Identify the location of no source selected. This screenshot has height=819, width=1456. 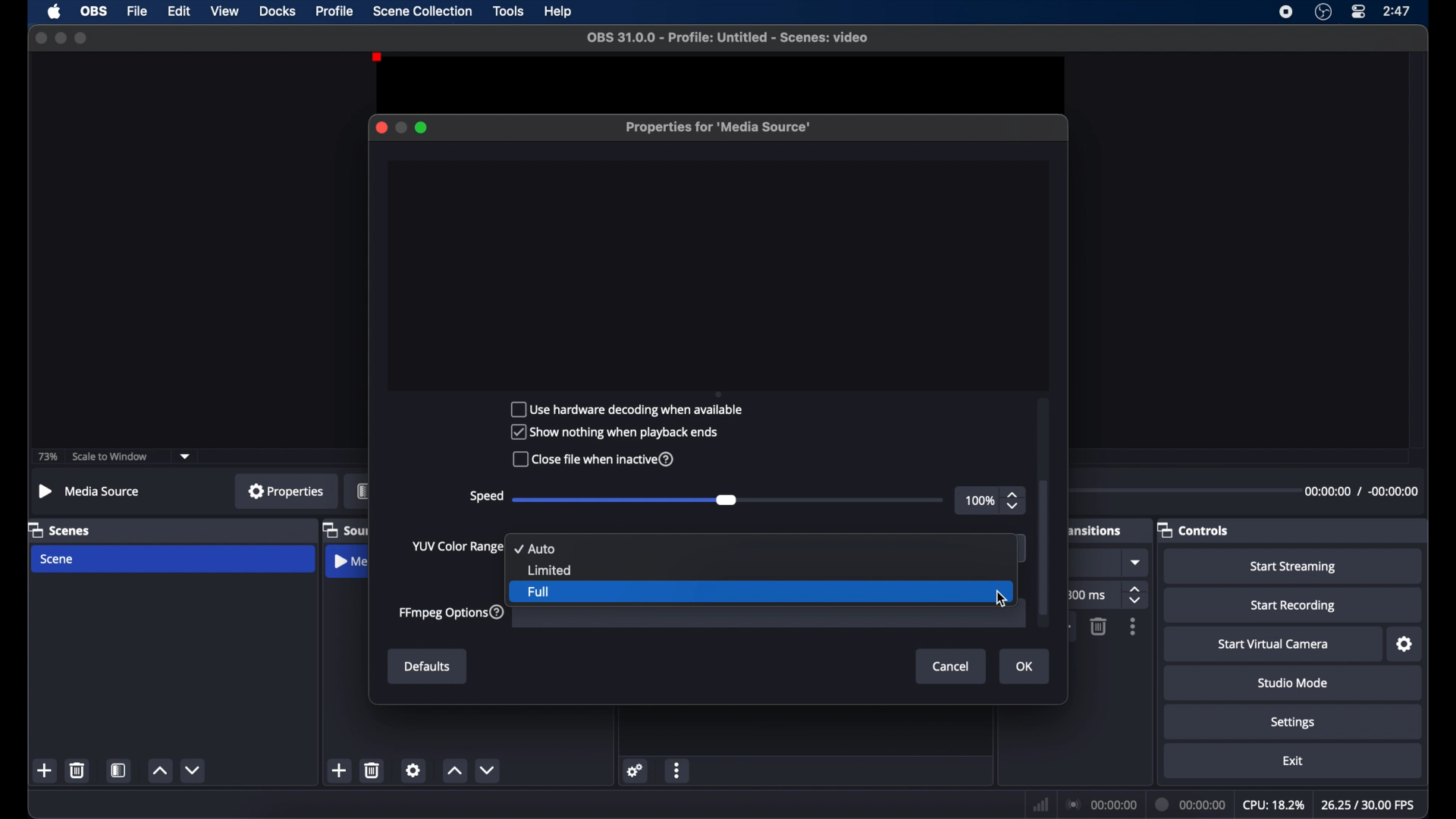
(89, 491).